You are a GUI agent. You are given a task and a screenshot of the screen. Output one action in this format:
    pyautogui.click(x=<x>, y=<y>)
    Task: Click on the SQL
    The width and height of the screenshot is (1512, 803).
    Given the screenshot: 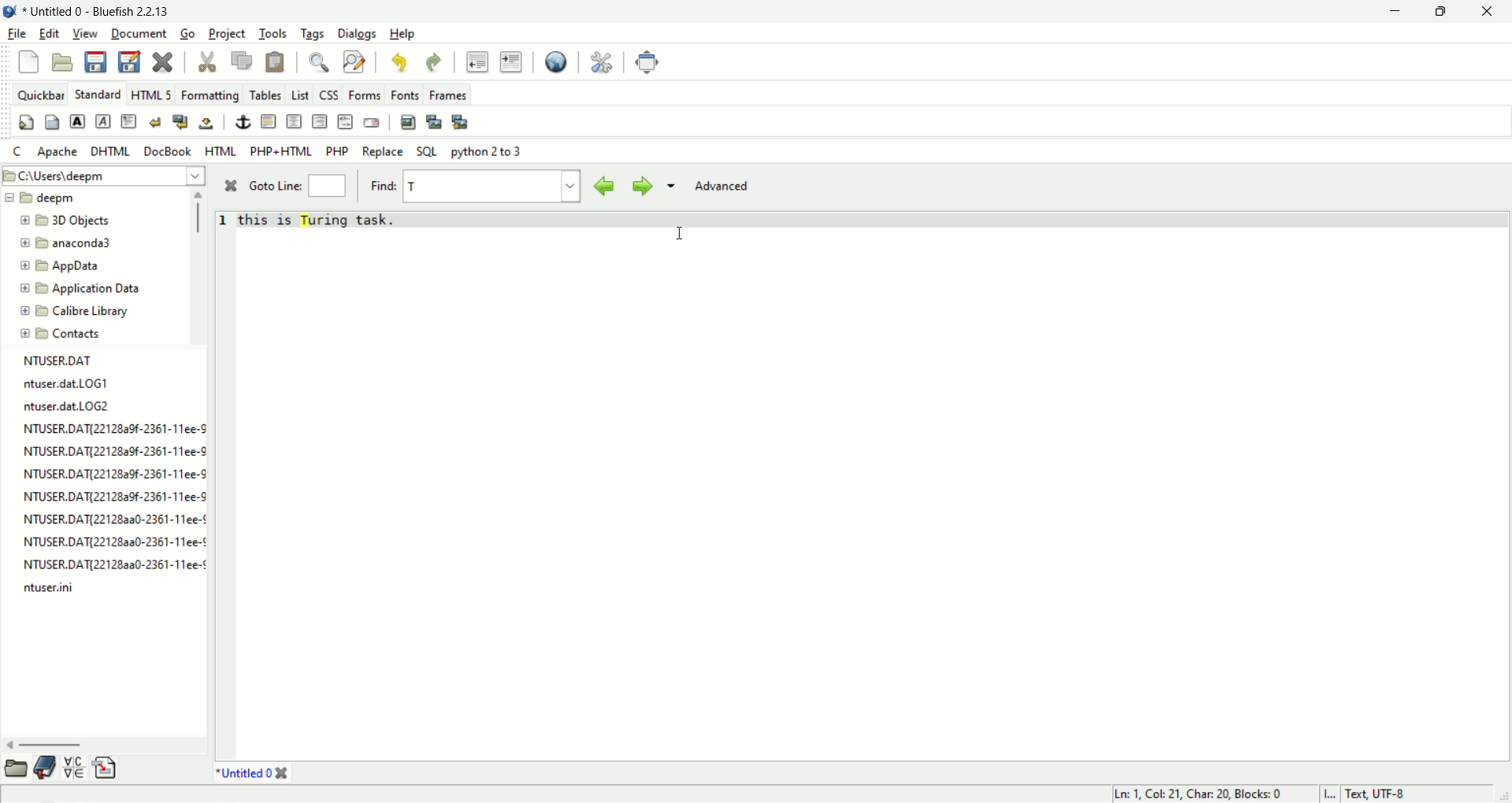 What is the action you would take?
    pyautogui.click(x=428, y=151)
    